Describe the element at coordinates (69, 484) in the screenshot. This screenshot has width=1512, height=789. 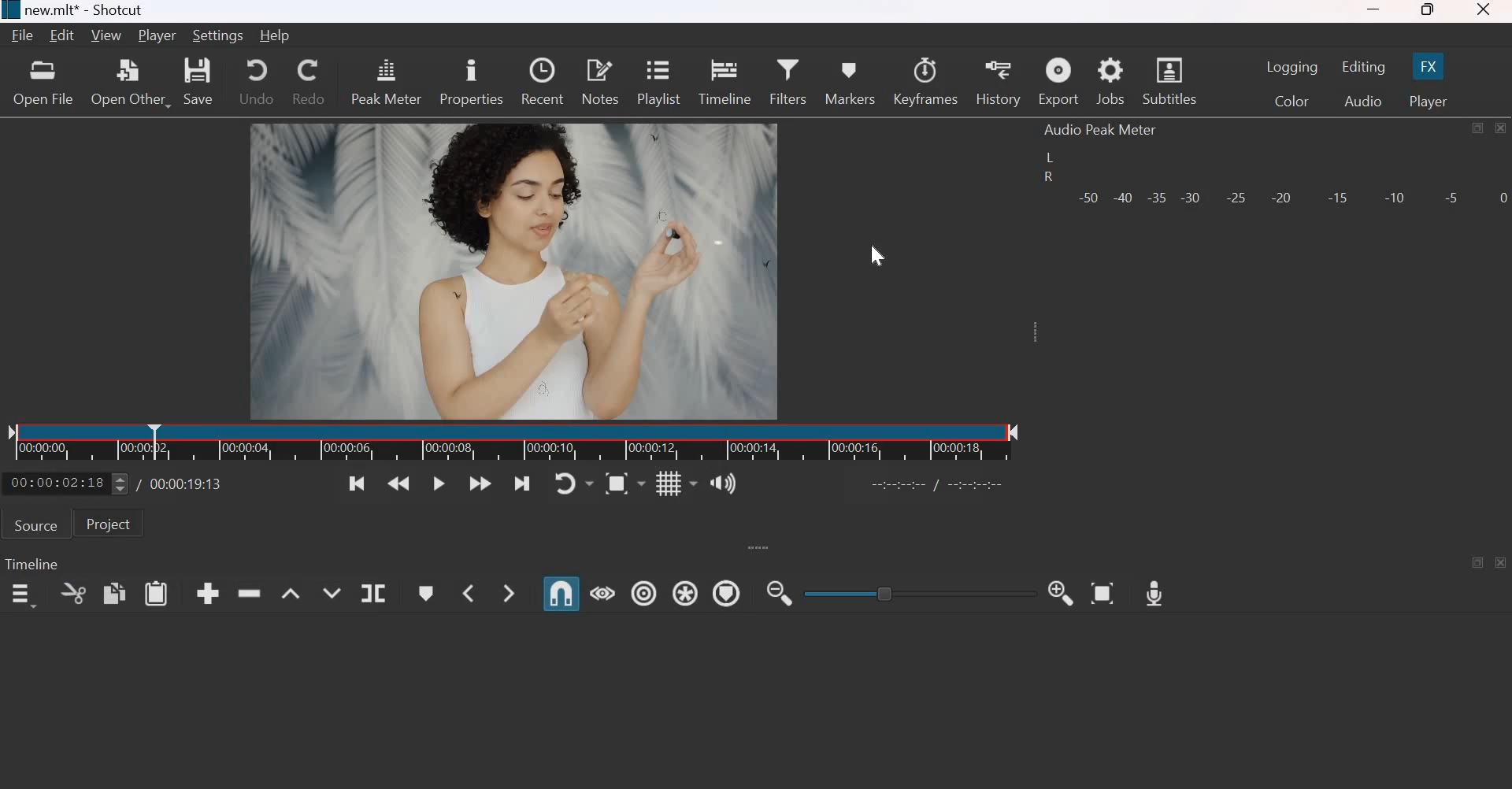
I see `current position` at that location.